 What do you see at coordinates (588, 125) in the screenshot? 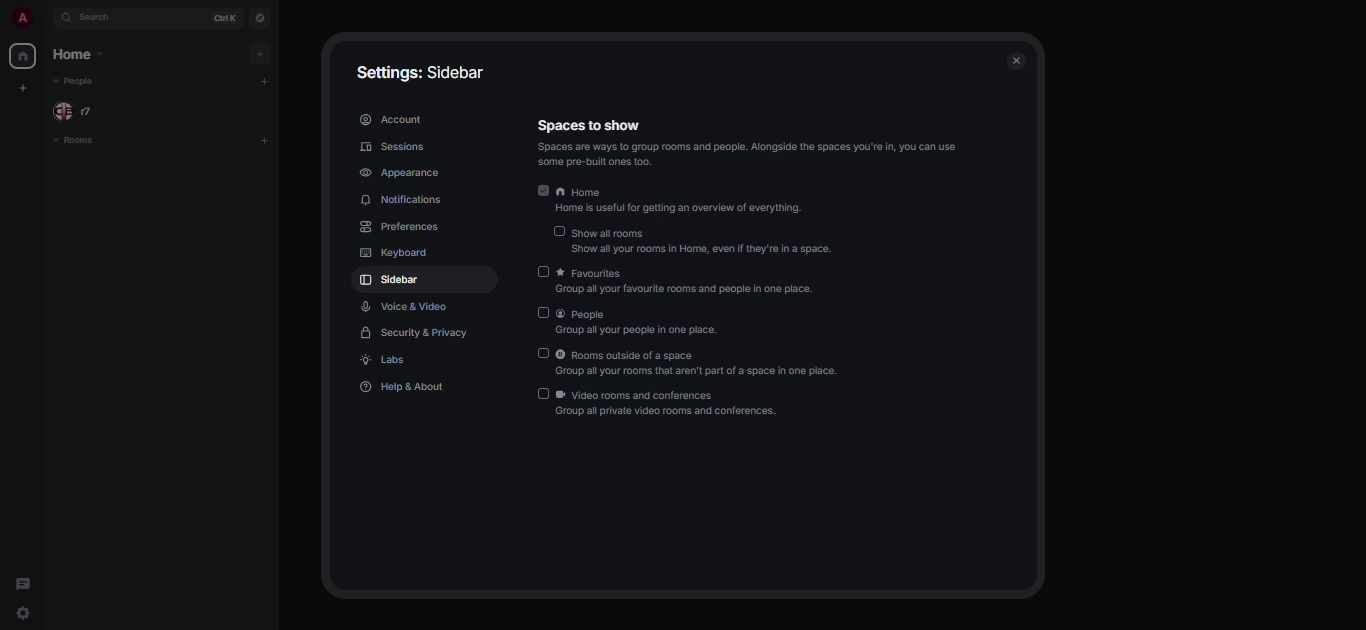
I see `spaces to show` at bounding box center [588, 125].